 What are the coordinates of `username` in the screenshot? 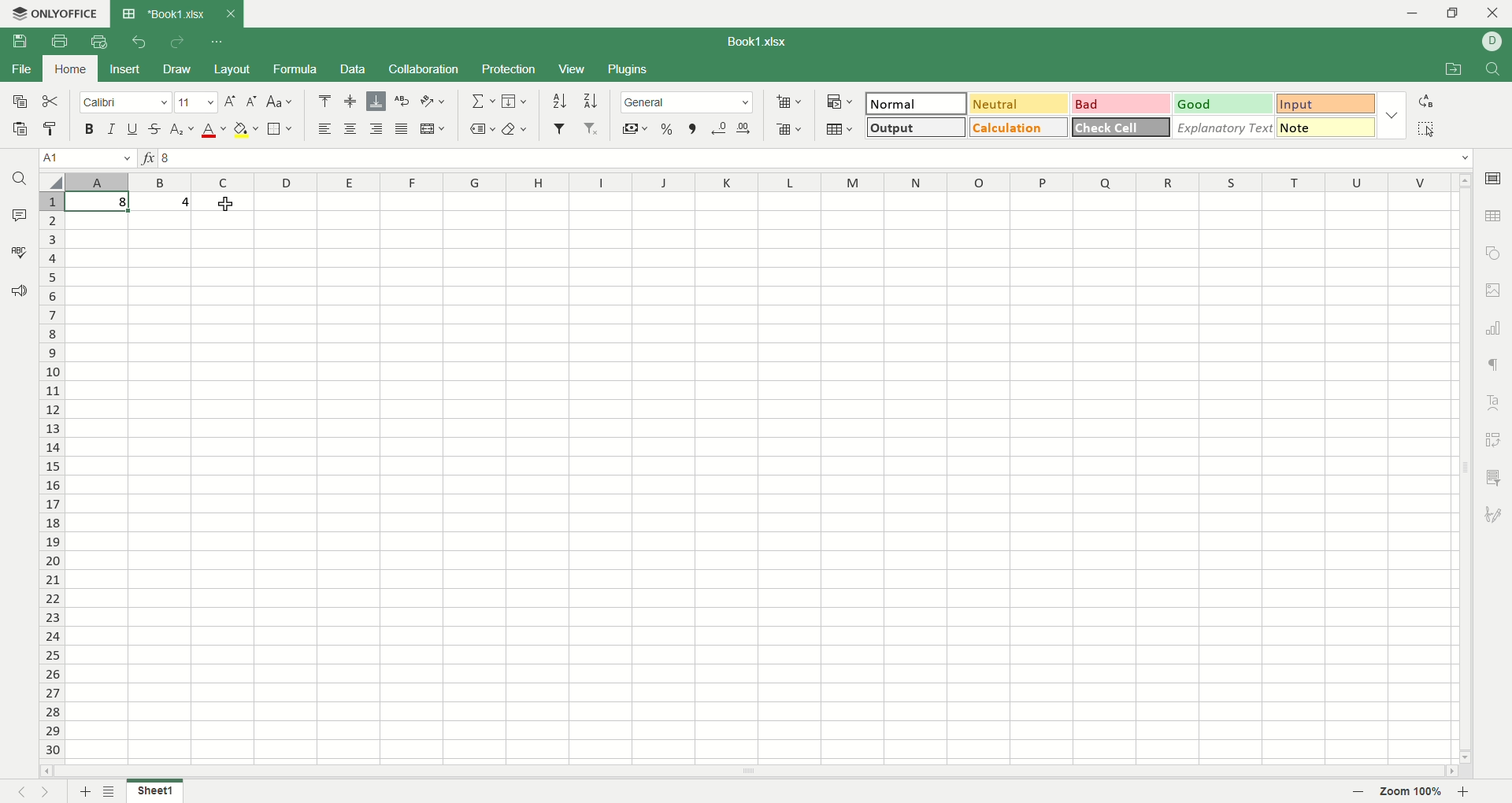 It's located at (1492, 42).